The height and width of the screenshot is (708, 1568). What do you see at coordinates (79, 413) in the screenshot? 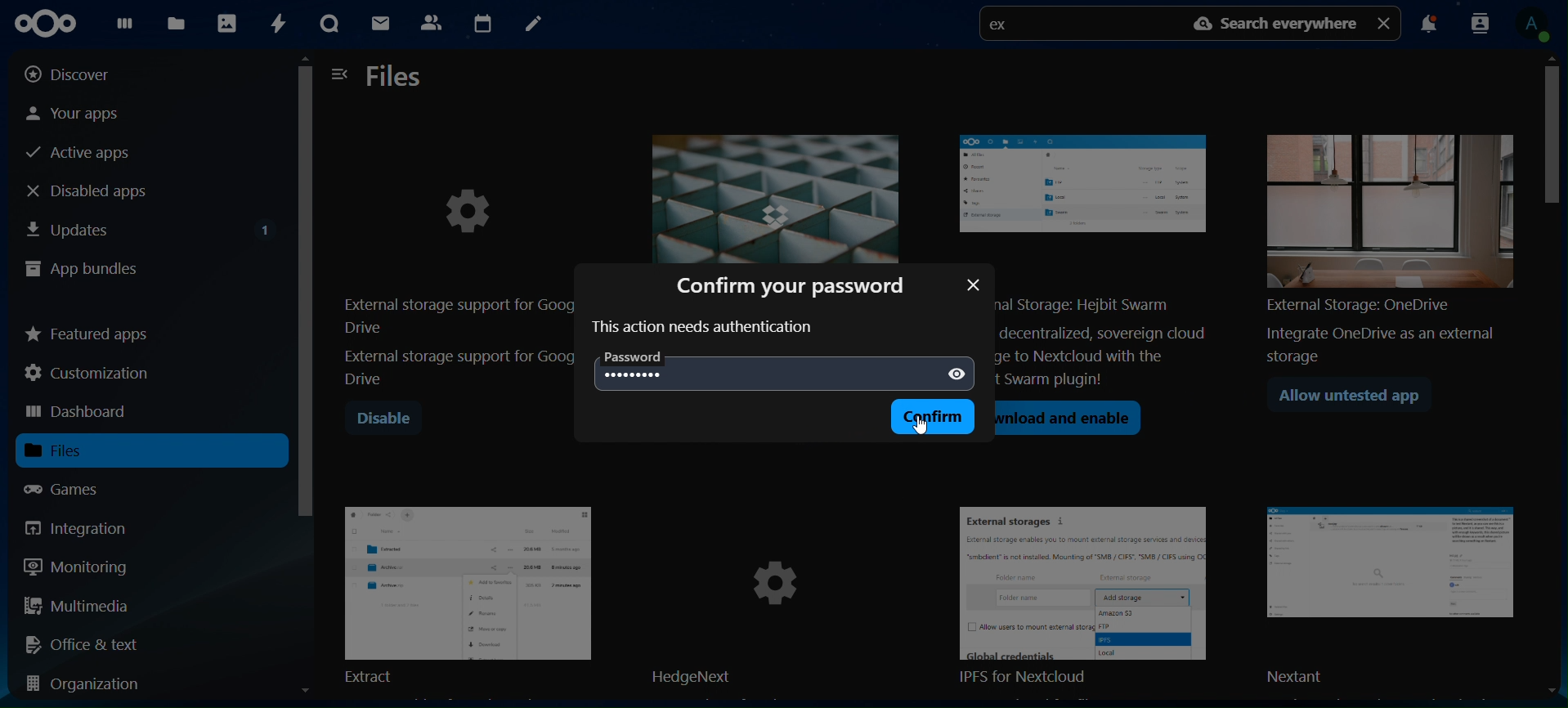
I see `dashboard` at bounding box center [79, 413].